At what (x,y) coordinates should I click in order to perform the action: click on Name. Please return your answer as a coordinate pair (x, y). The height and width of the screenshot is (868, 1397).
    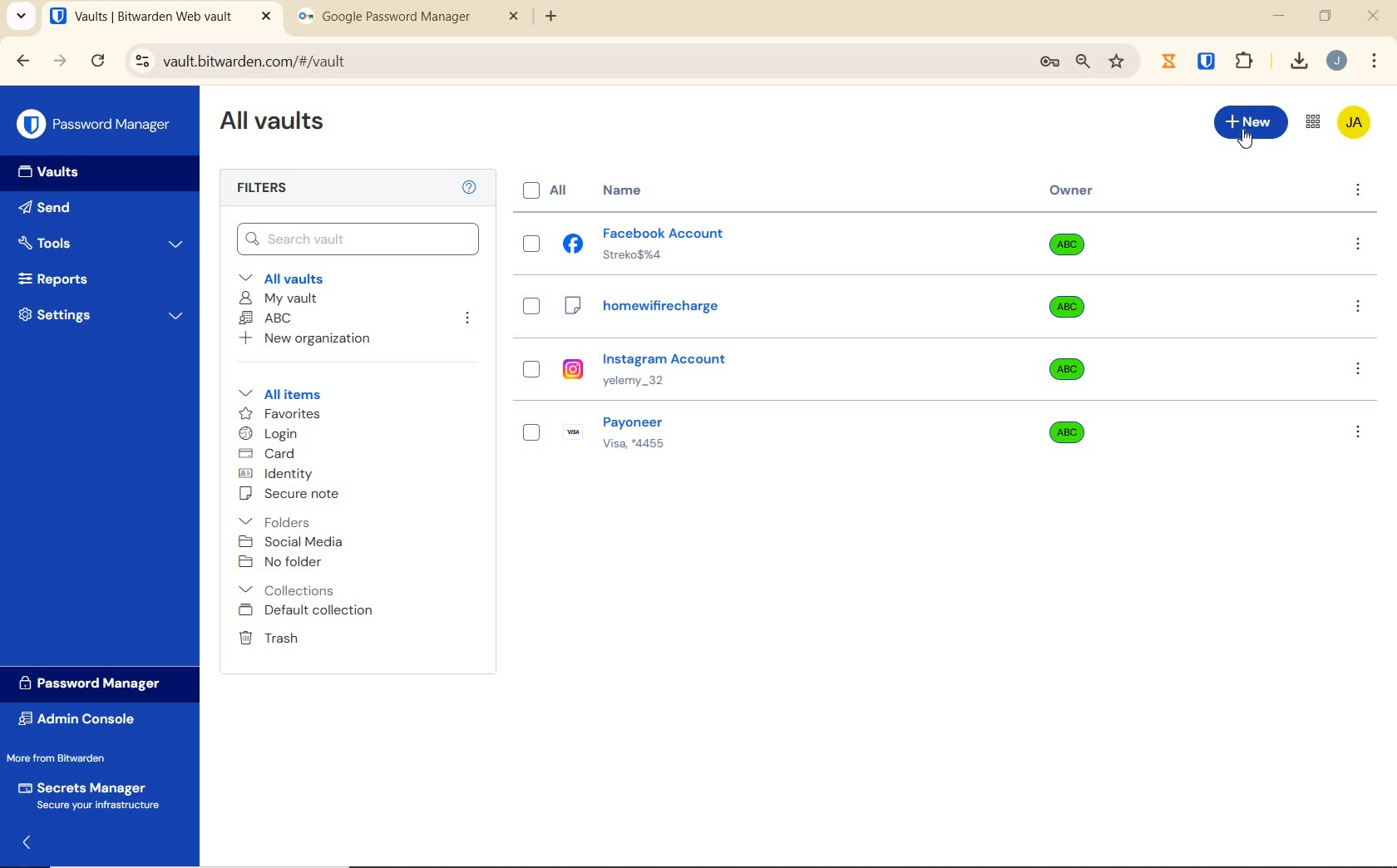
    Looking at the image, I should click on (628, 191).